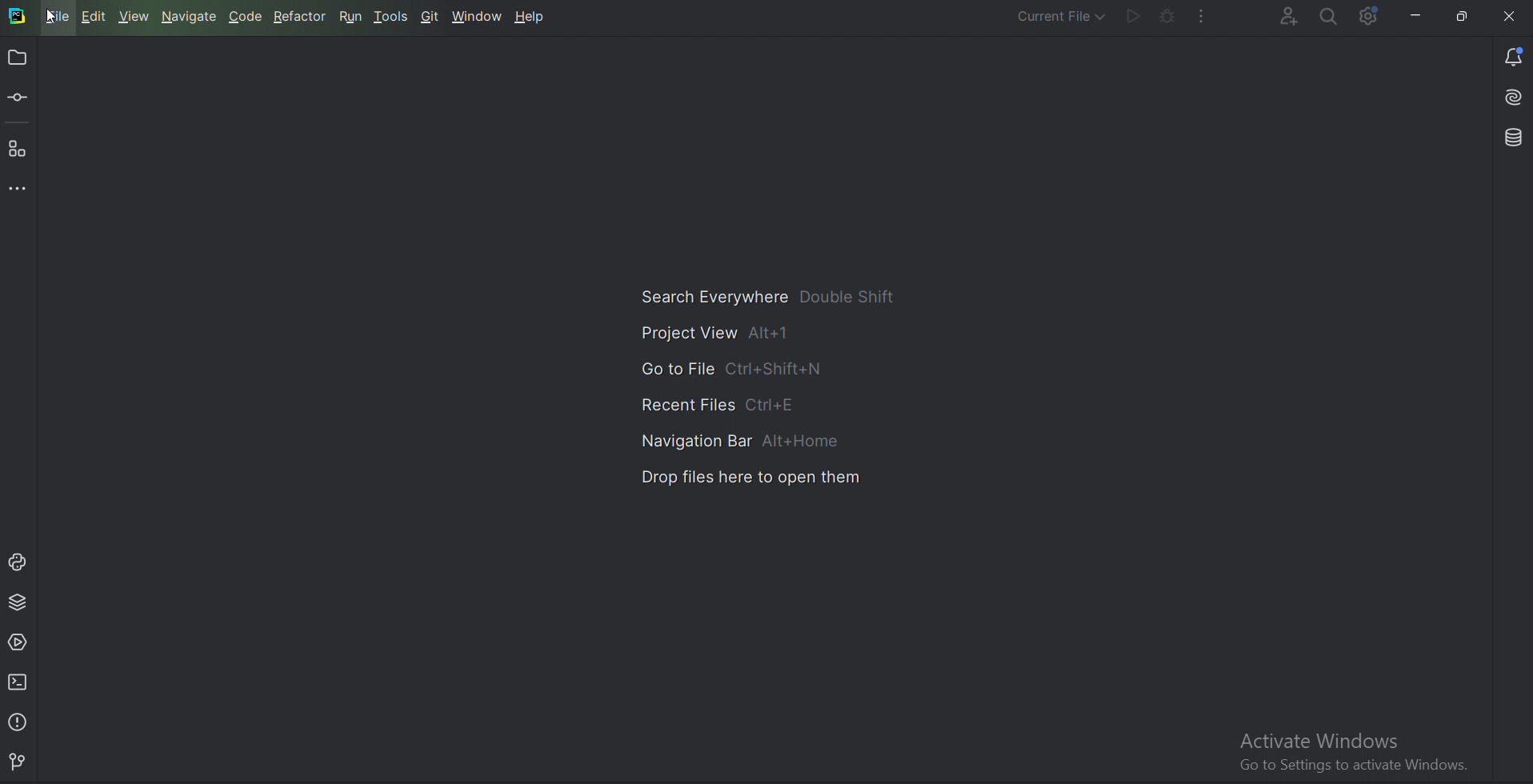 This screenshot has height=784, width=1533. What do you see at coordinates (50, 17) in the screenshot?
I see `Cursor` at bounding box center [50, 17].